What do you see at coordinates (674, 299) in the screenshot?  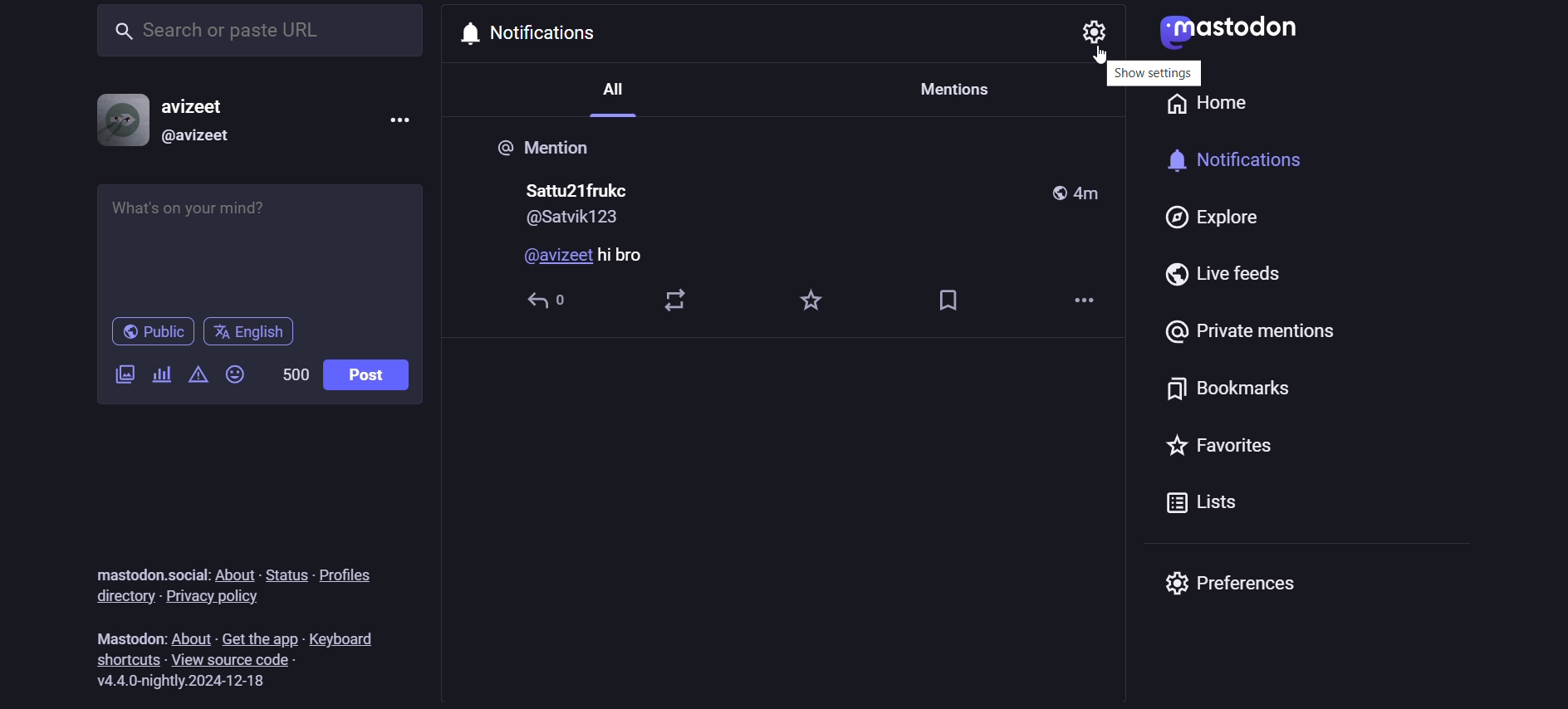 I see `boost` at bounding box center [674, 299].